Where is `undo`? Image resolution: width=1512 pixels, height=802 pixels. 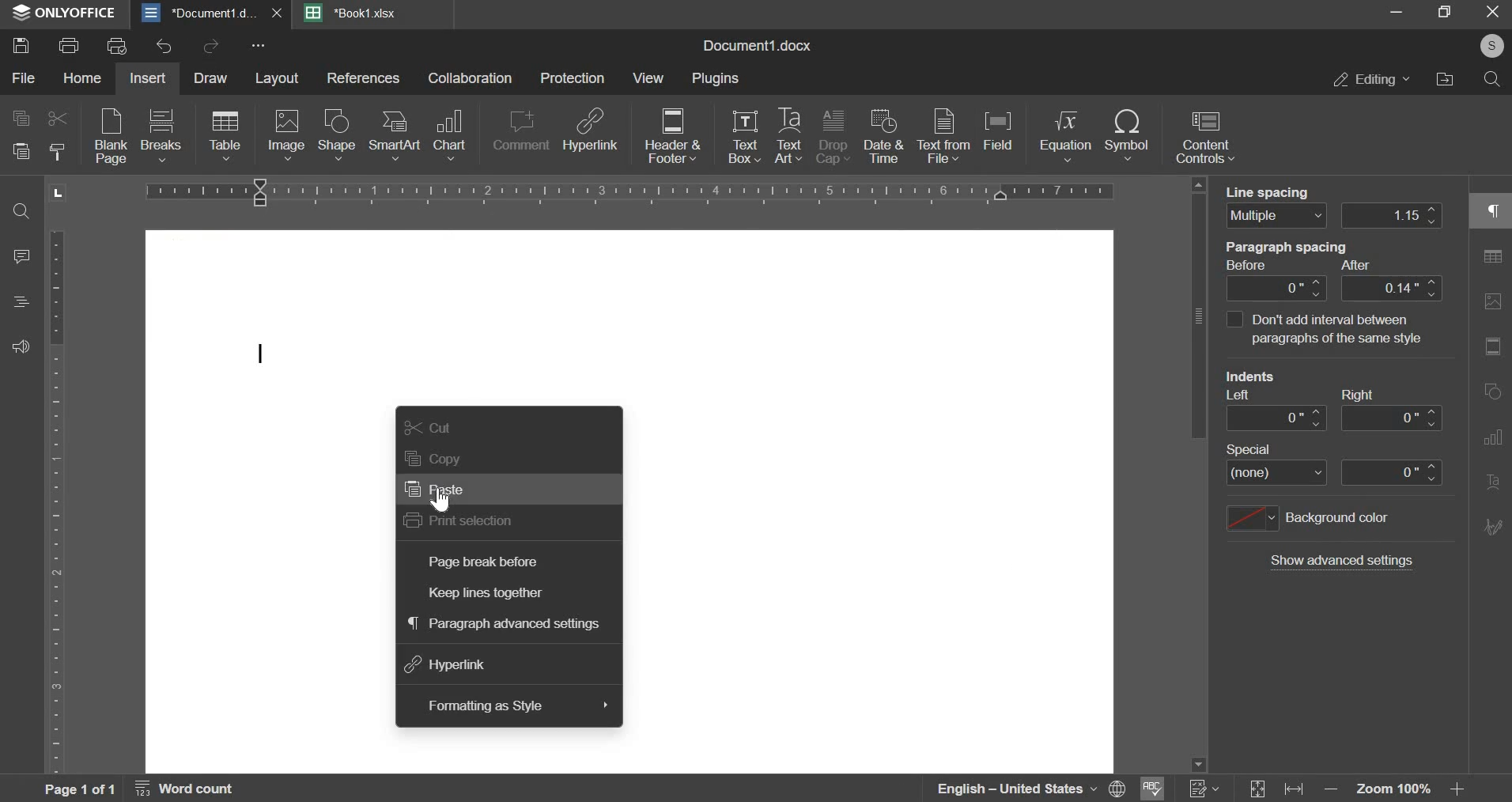
undo is located at coordinates (164, 46).